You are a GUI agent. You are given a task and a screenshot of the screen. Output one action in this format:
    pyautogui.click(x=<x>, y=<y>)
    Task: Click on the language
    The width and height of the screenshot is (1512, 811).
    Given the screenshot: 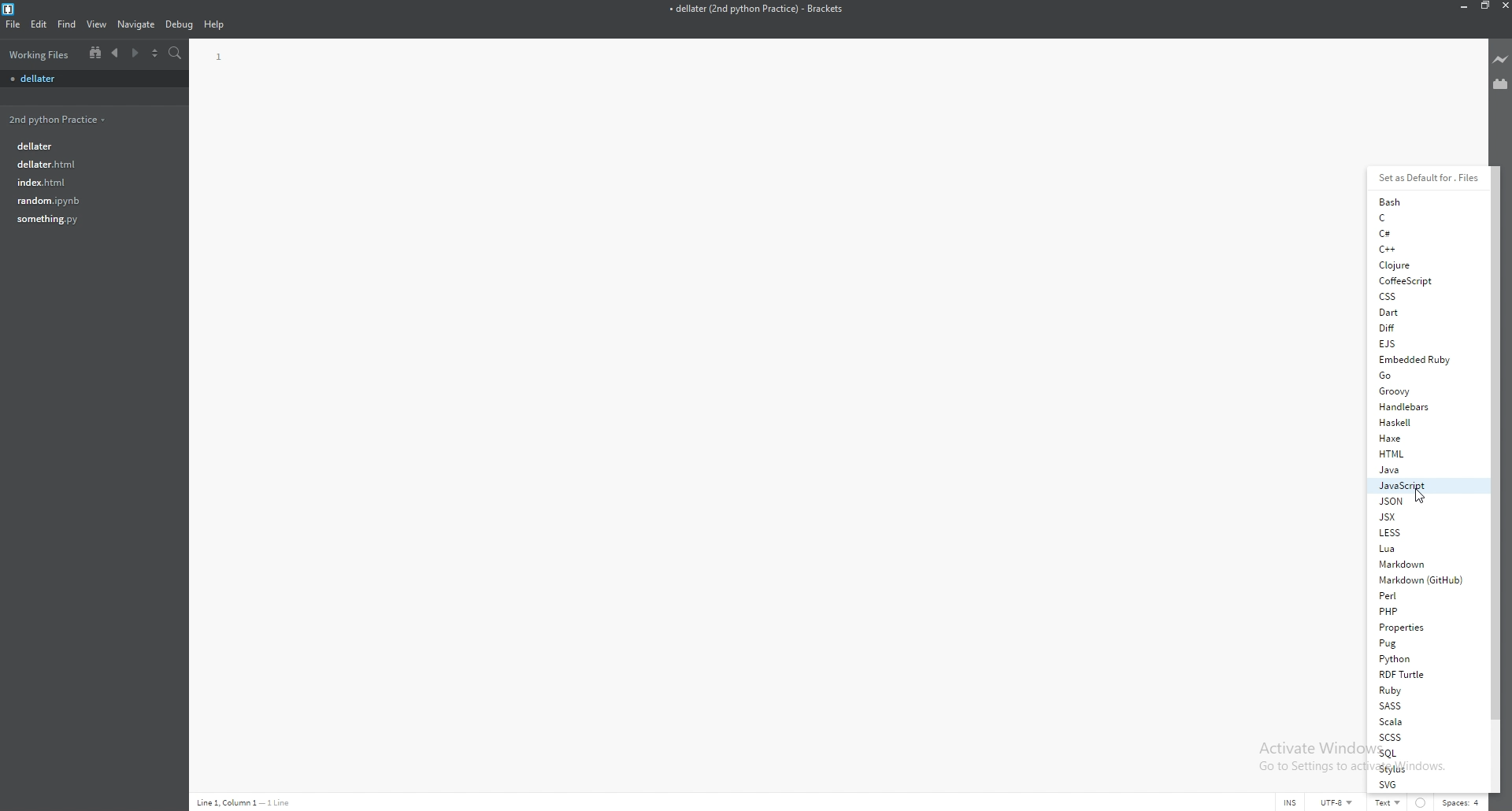 What is the action you would take?
    pyautogui.click(x=1388, y=802)
    